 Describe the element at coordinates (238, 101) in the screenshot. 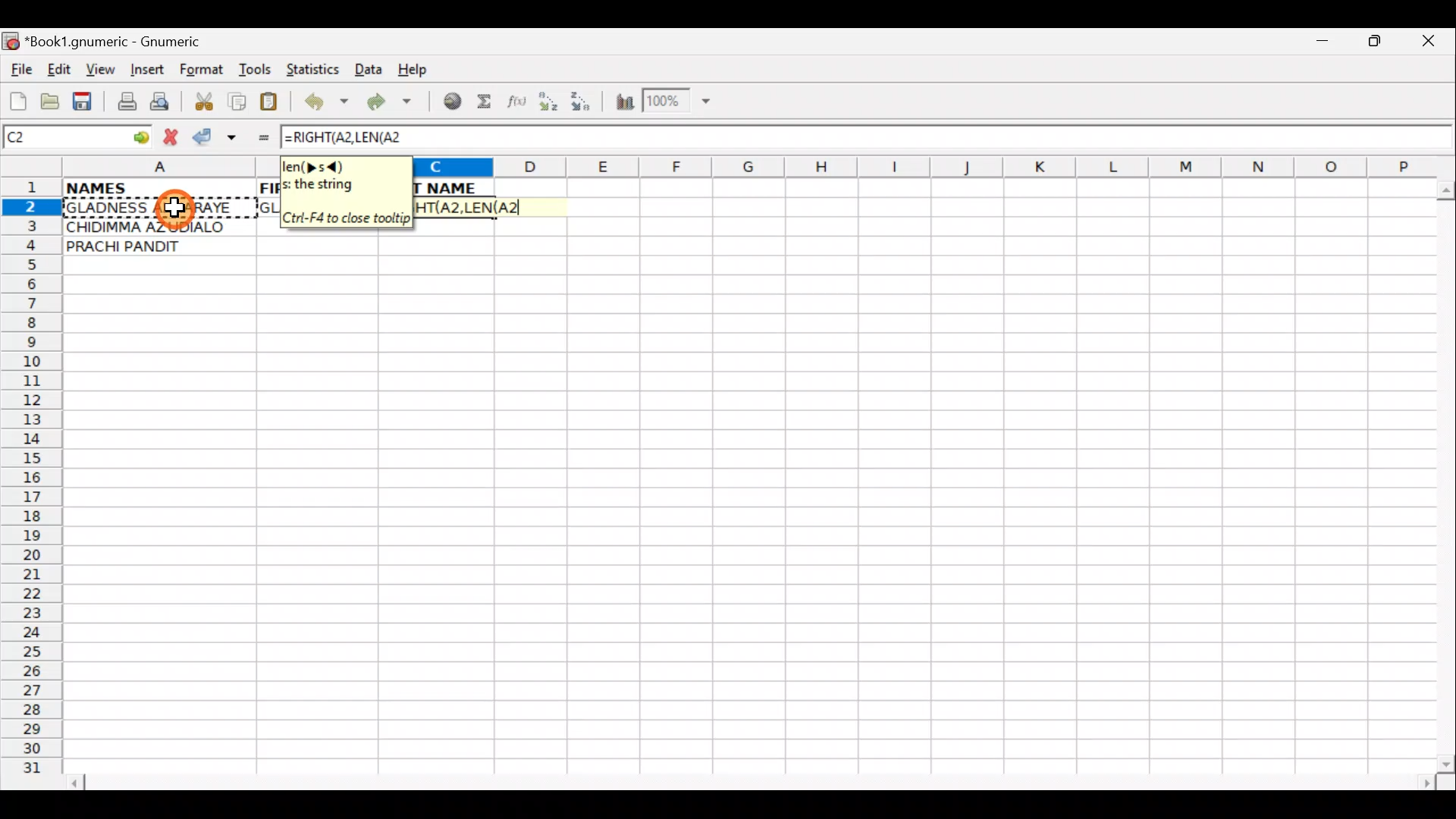

I see `Copy selection` at that location.